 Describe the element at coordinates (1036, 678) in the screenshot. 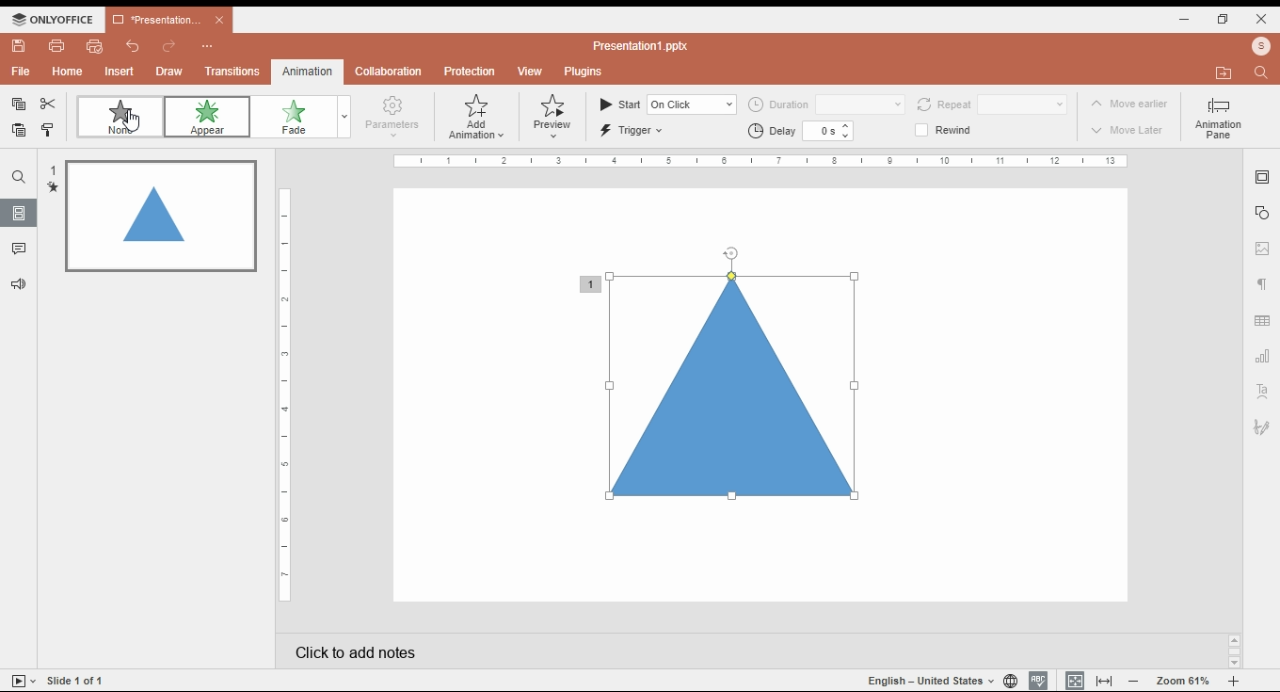

I see `spell check` at that location.